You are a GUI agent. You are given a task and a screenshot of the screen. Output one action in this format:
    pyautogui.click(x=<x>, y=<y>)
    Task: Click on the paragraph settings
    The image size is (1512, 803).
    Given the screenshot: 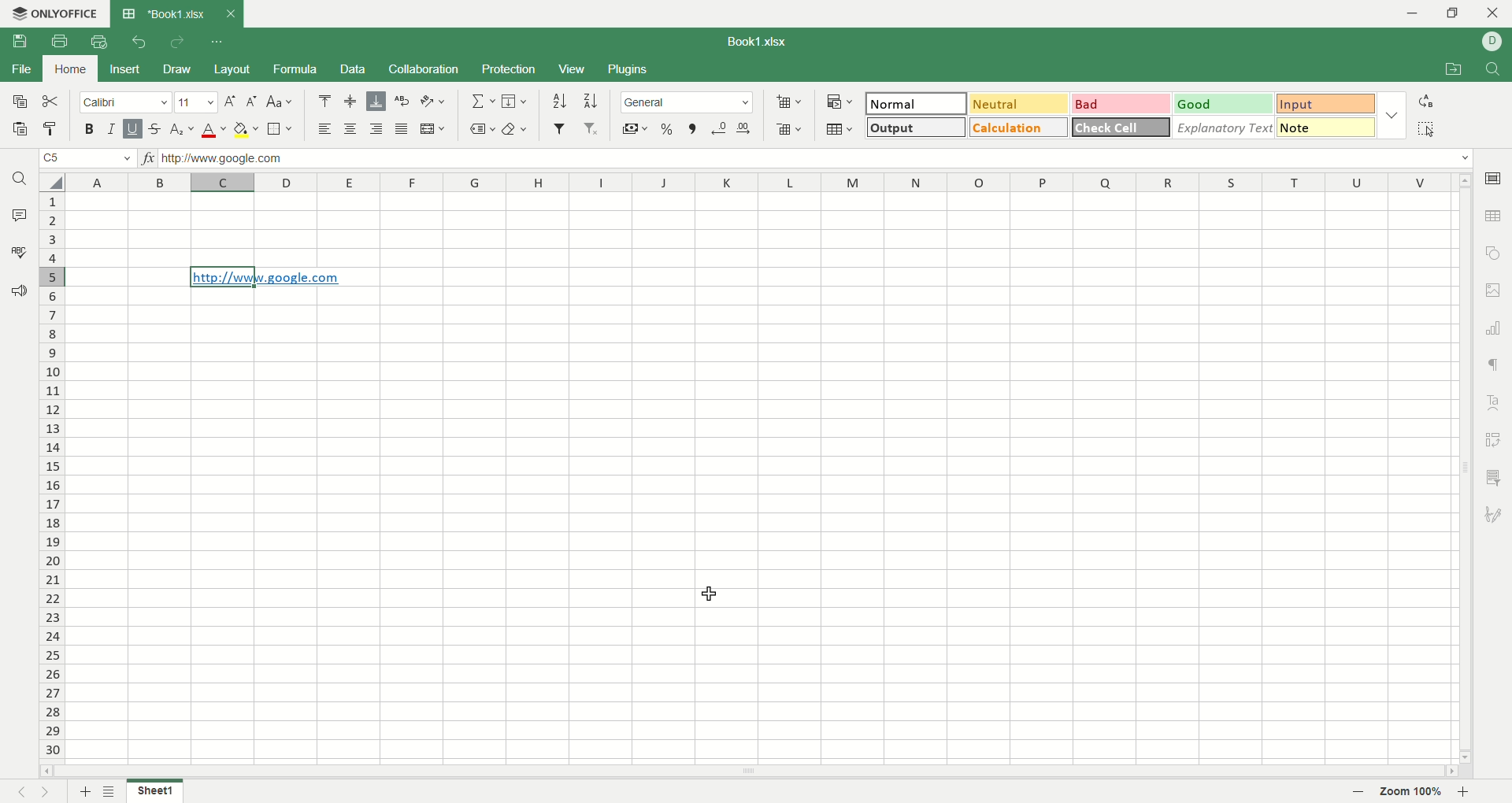 What is the action you would take?
    pyautogui.click(x=1492, y=364)
    